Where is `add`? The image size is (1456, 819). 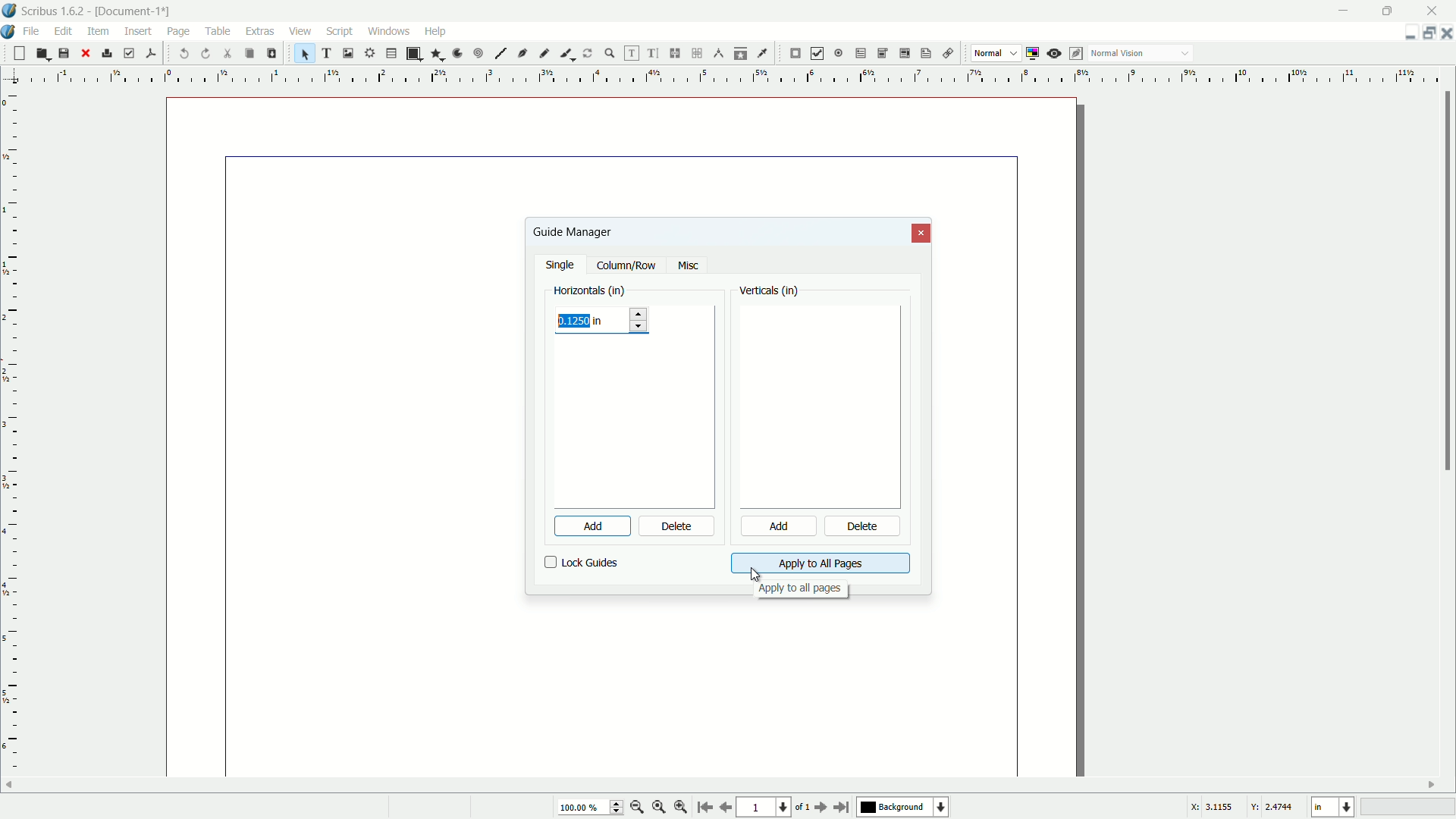
add is located at coordinates (777, 527).